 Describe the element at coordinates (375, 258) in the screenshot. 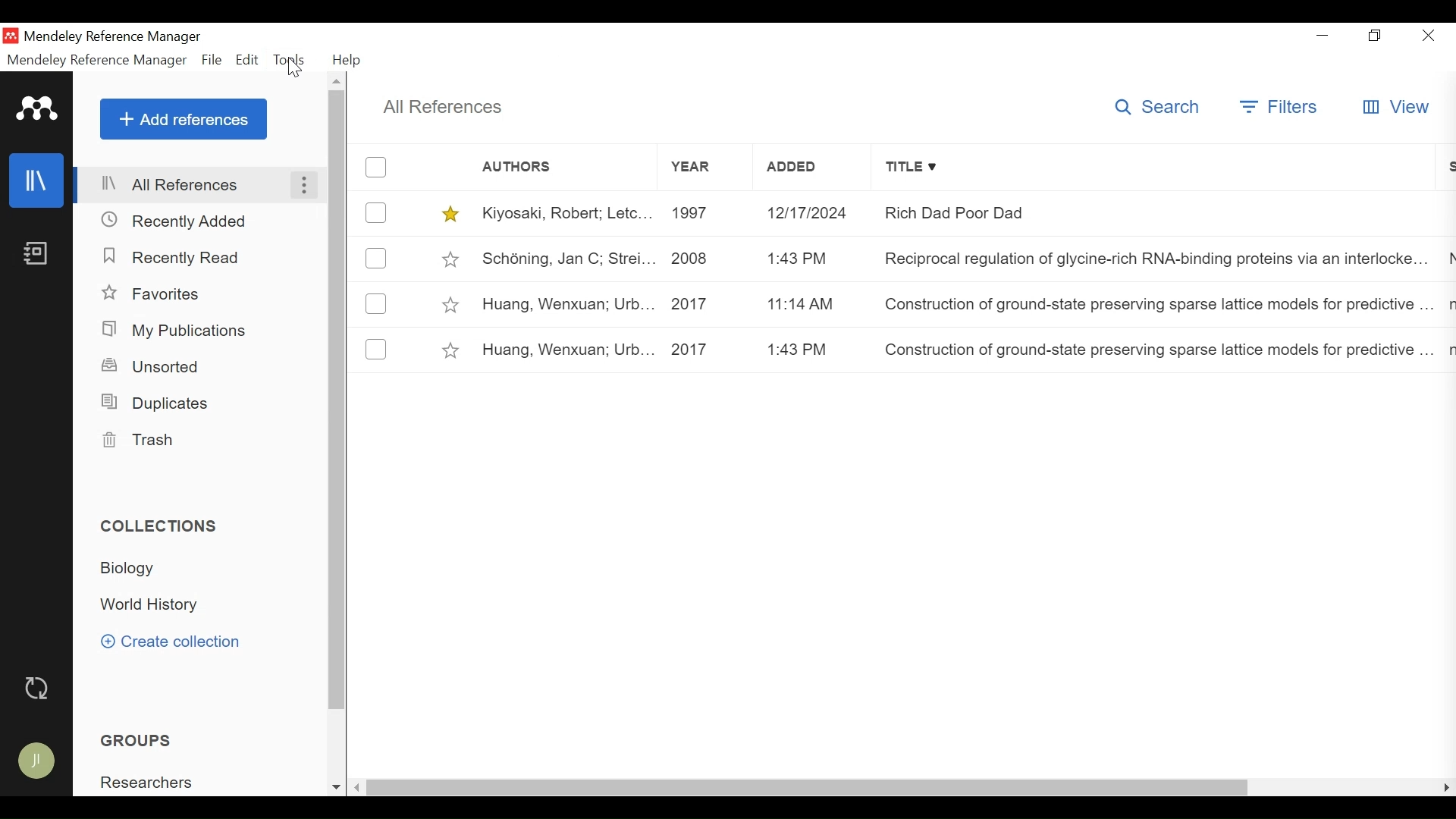

I see `(un)select` at that location.